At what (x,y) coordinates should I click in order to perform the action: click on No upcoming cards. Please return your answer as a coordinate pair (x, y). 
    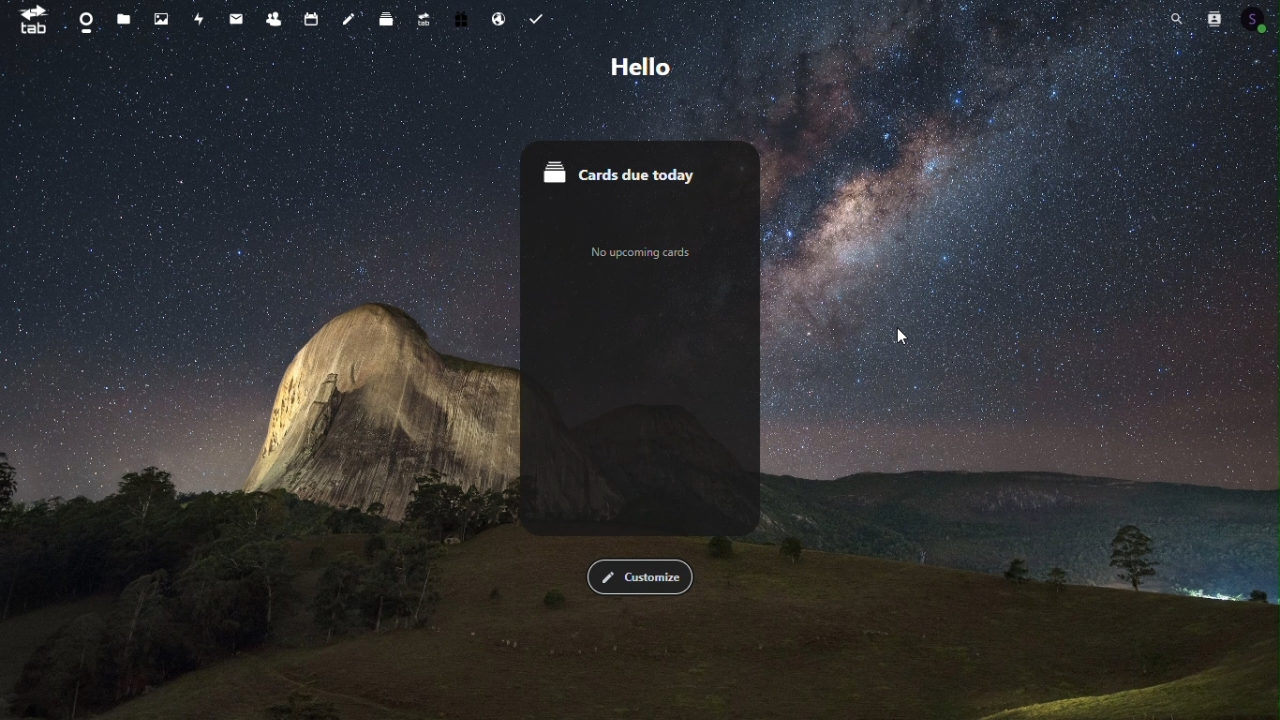
    Looking at the image, I should click on (637, 255).